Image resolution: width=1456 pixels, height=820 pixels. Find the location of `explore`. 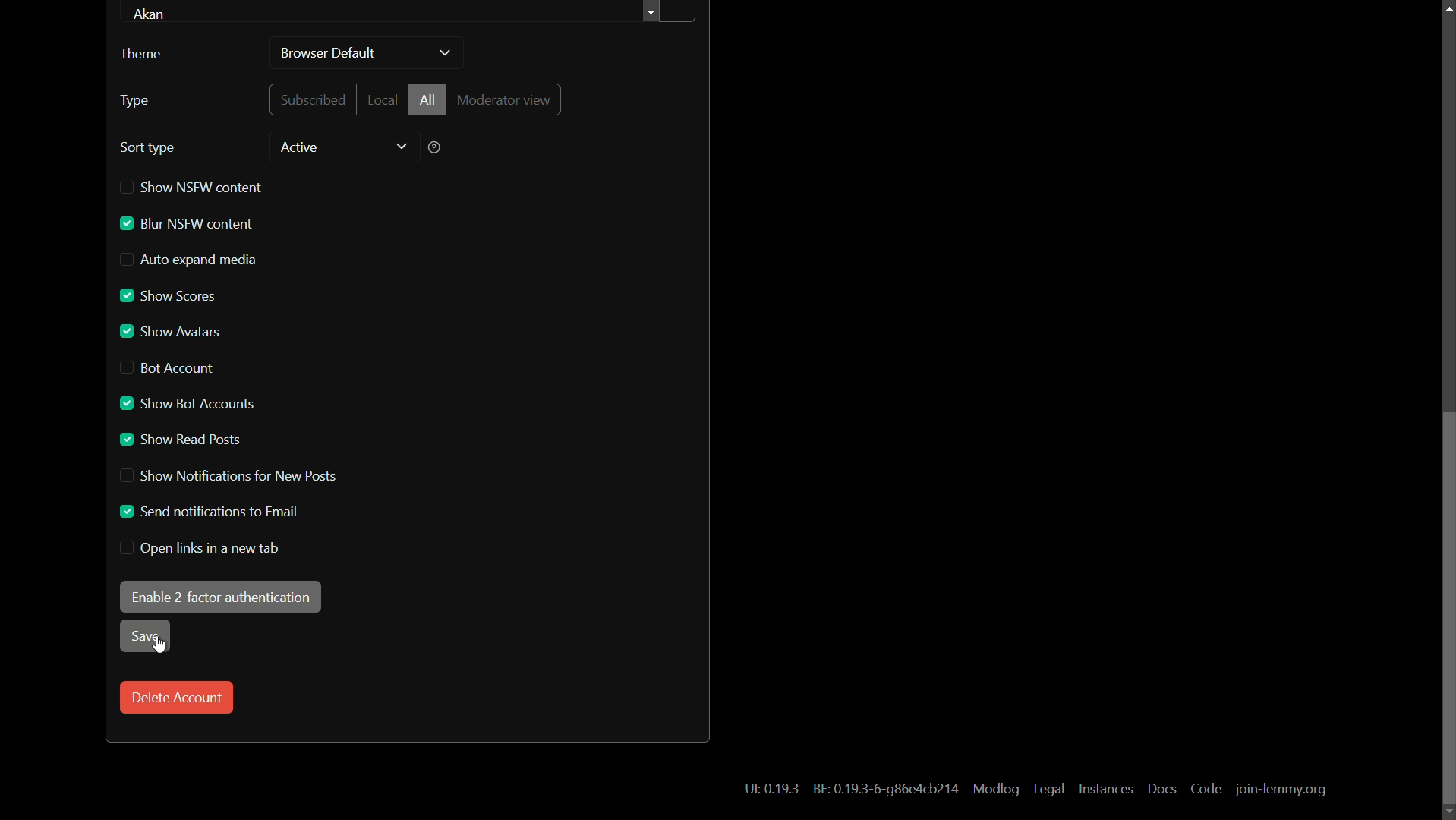

explore is located at coordinates (654, 14).